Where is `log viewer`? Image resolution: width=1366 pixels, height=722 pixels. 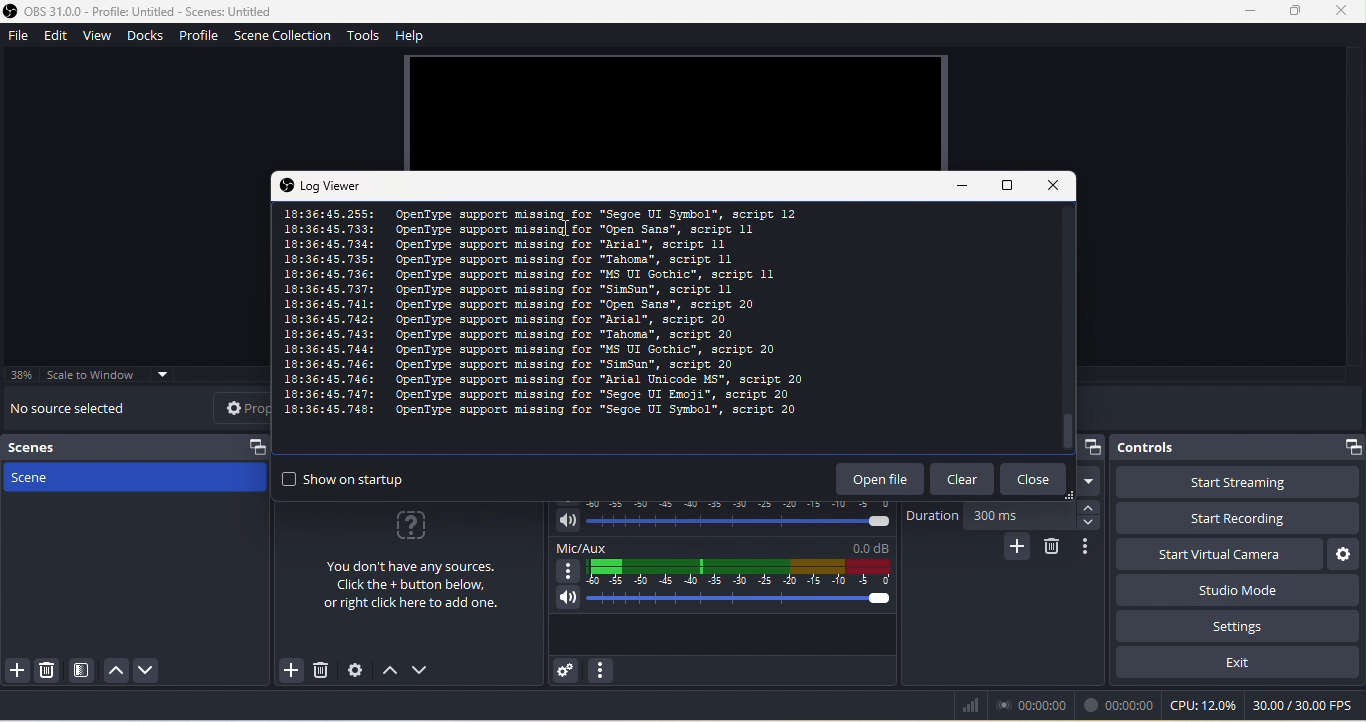 log viewer is located at coordinates (329, 187).